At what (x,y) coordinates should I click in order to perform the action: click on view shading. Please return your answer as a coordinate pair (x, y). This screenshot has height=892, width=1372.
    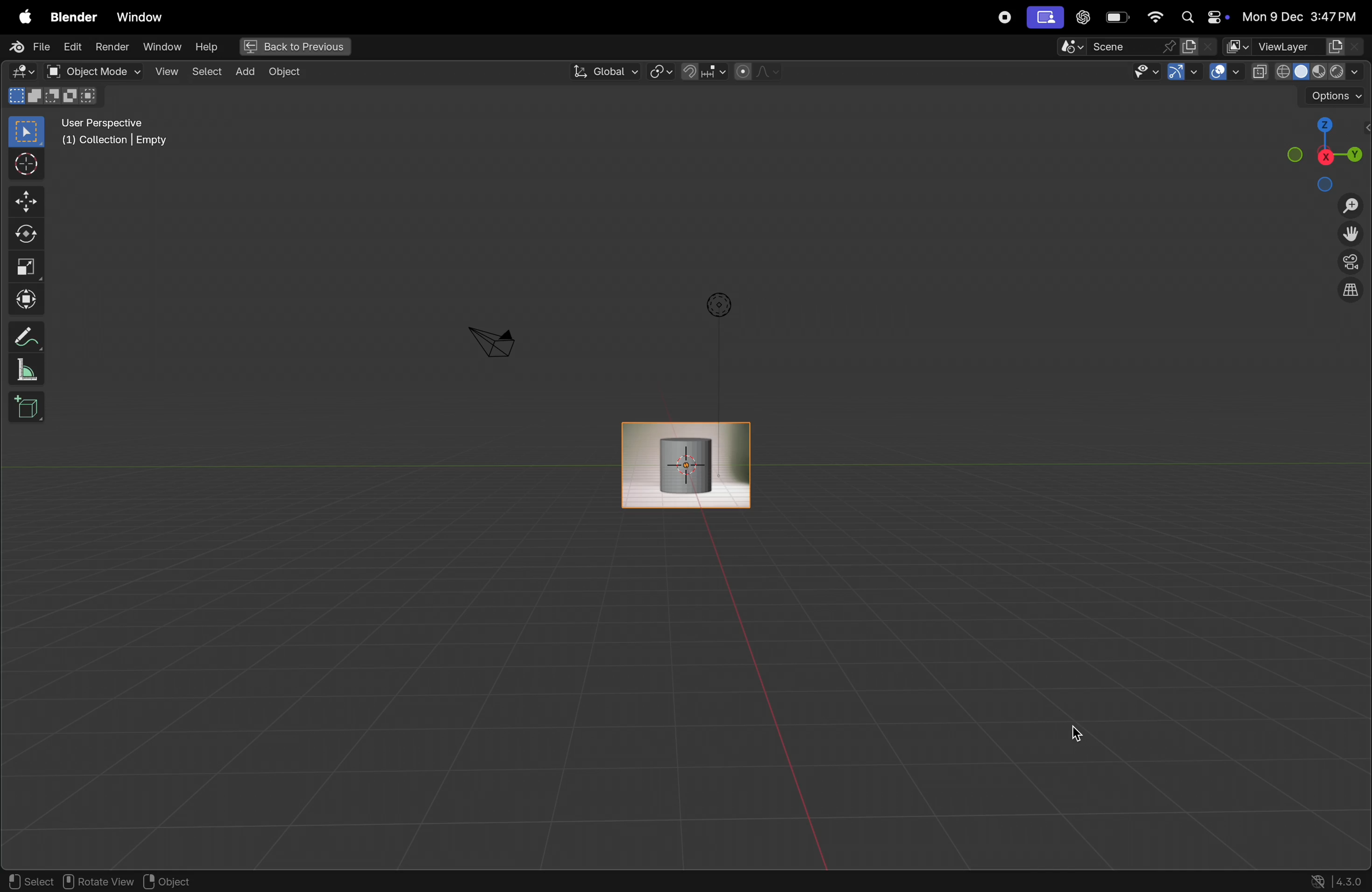
    Looking at the image, I should click on (1305, 71).